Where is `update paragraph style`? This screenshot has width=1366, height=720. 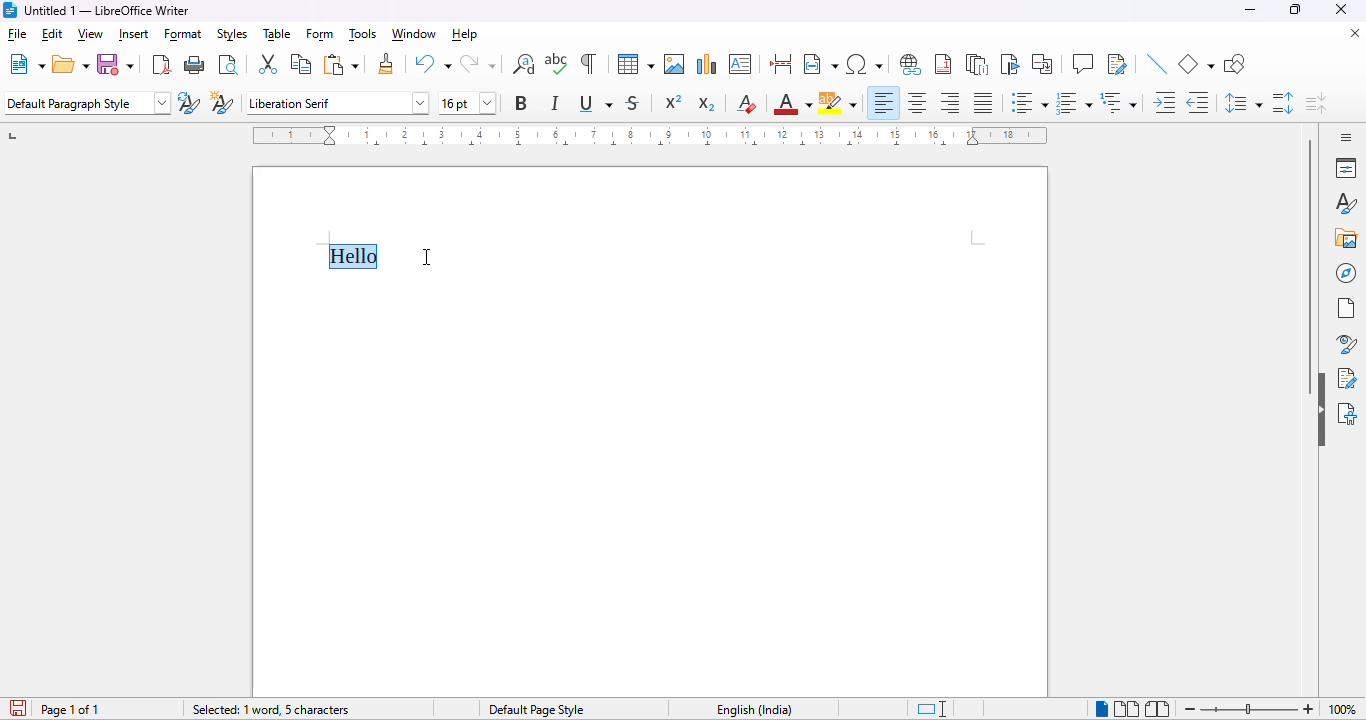
update paragraph style is located at coordinates (189, 102).